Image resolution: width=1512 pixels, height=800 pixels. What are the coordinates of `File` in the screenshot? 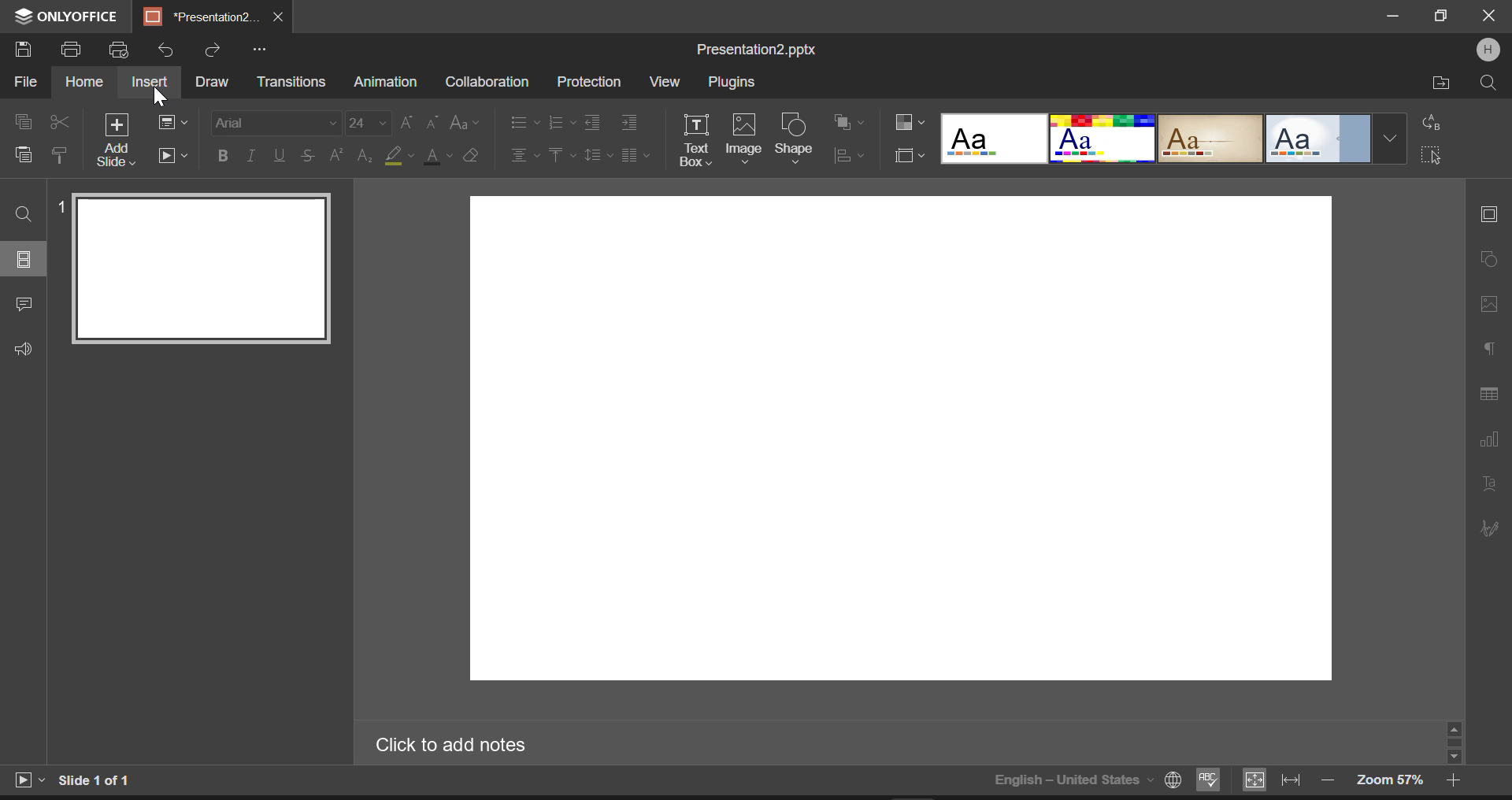 It's located at (24, 85).